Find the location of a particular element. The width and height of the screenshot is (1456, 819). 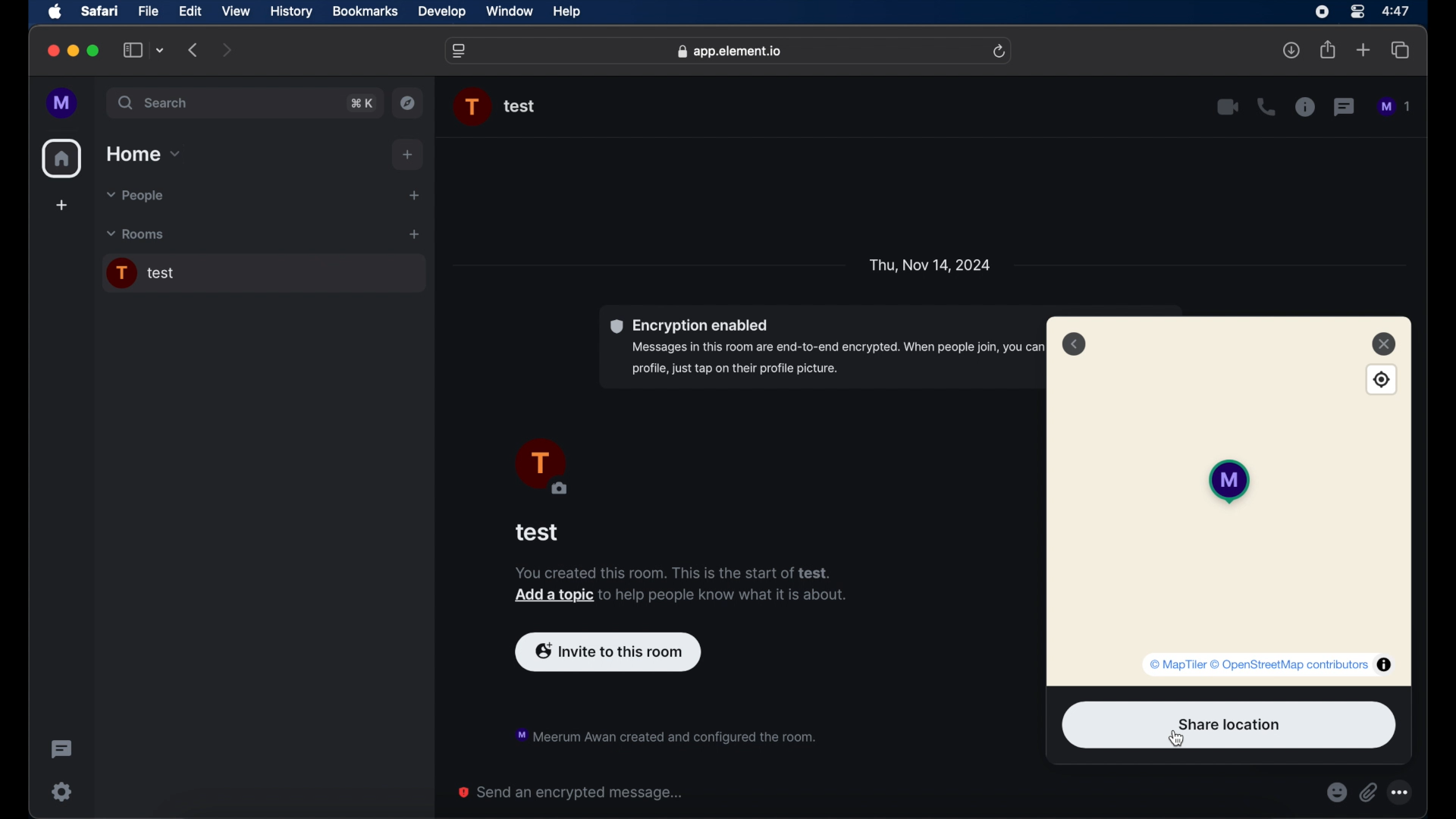

bookmarks is located at coordinates (365, 11).